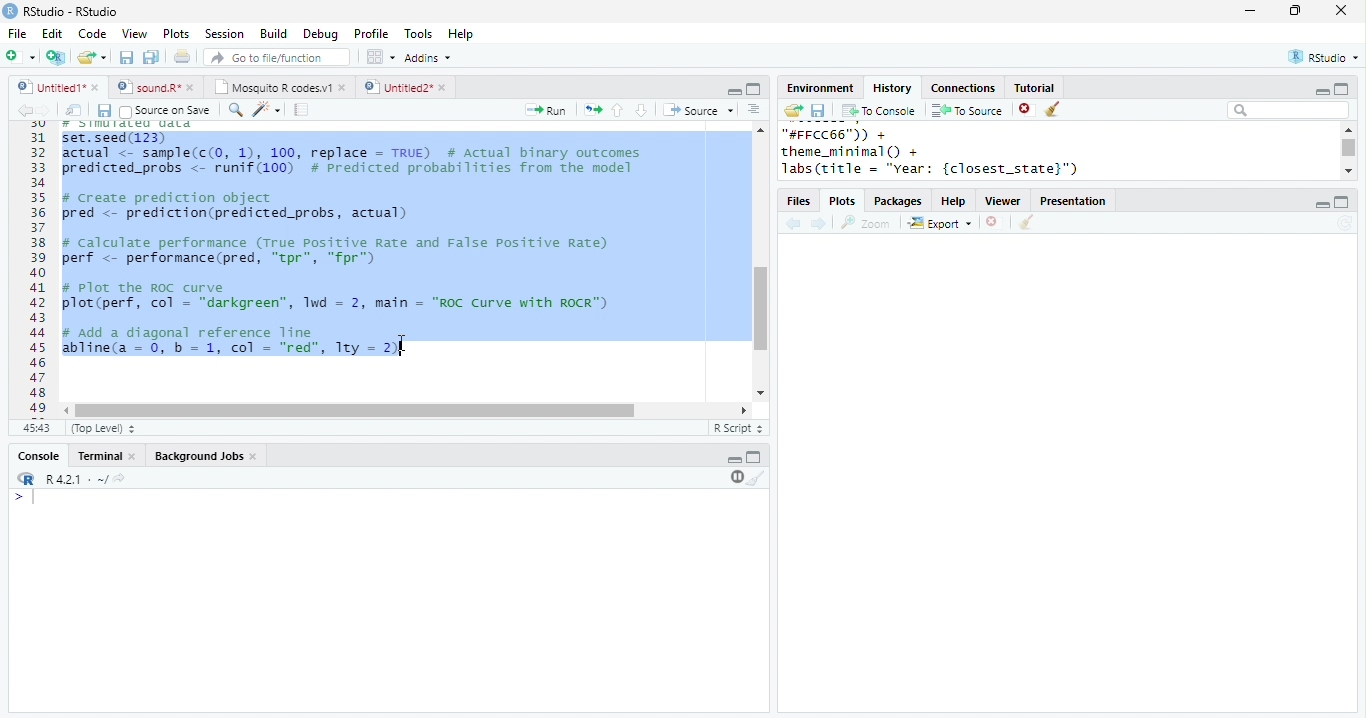  I want to click on minimize, so click(1249, 10).